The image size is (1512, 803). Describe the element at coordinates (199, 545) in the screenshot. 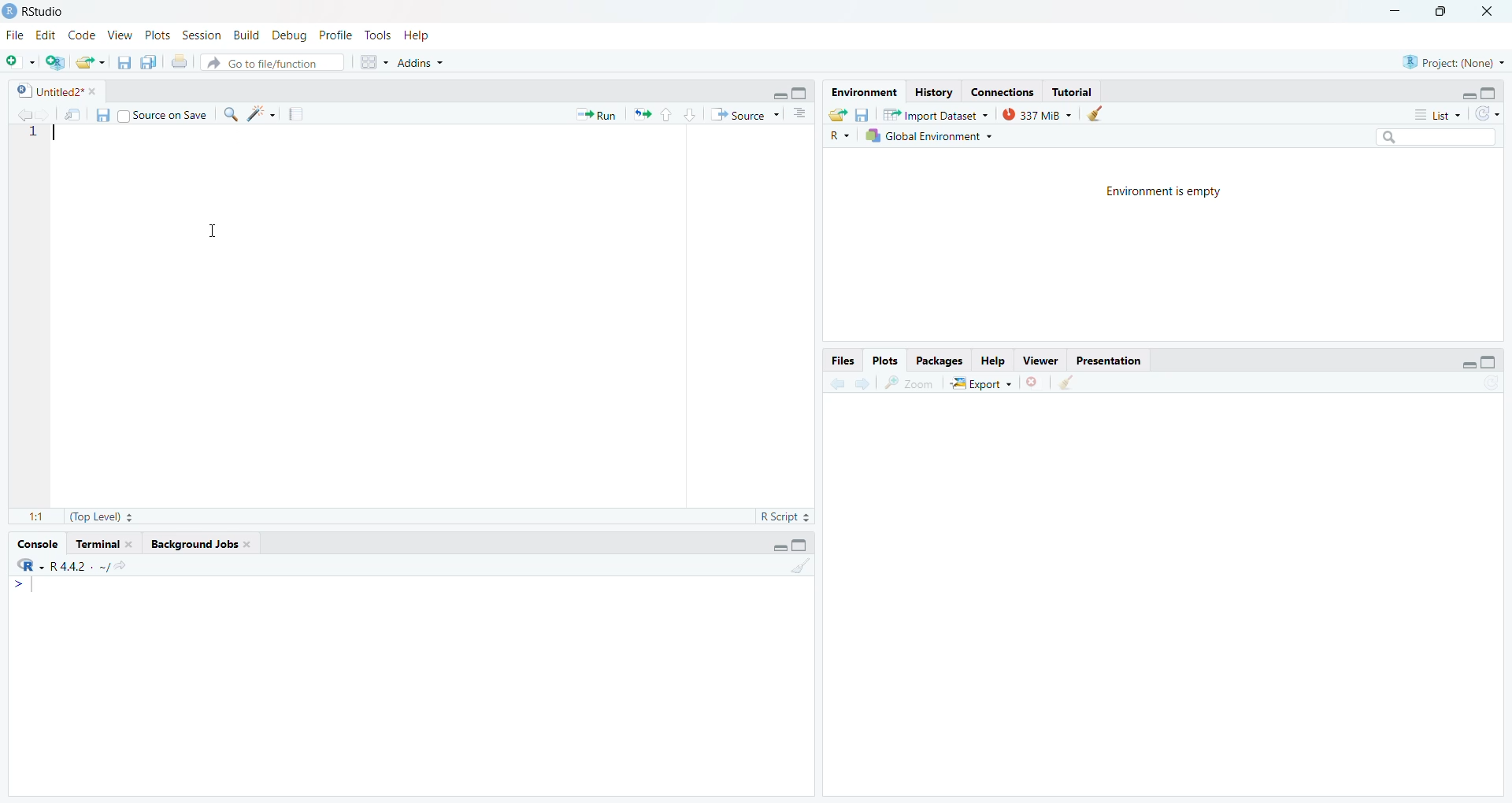

I see `background Jobs` at that location.